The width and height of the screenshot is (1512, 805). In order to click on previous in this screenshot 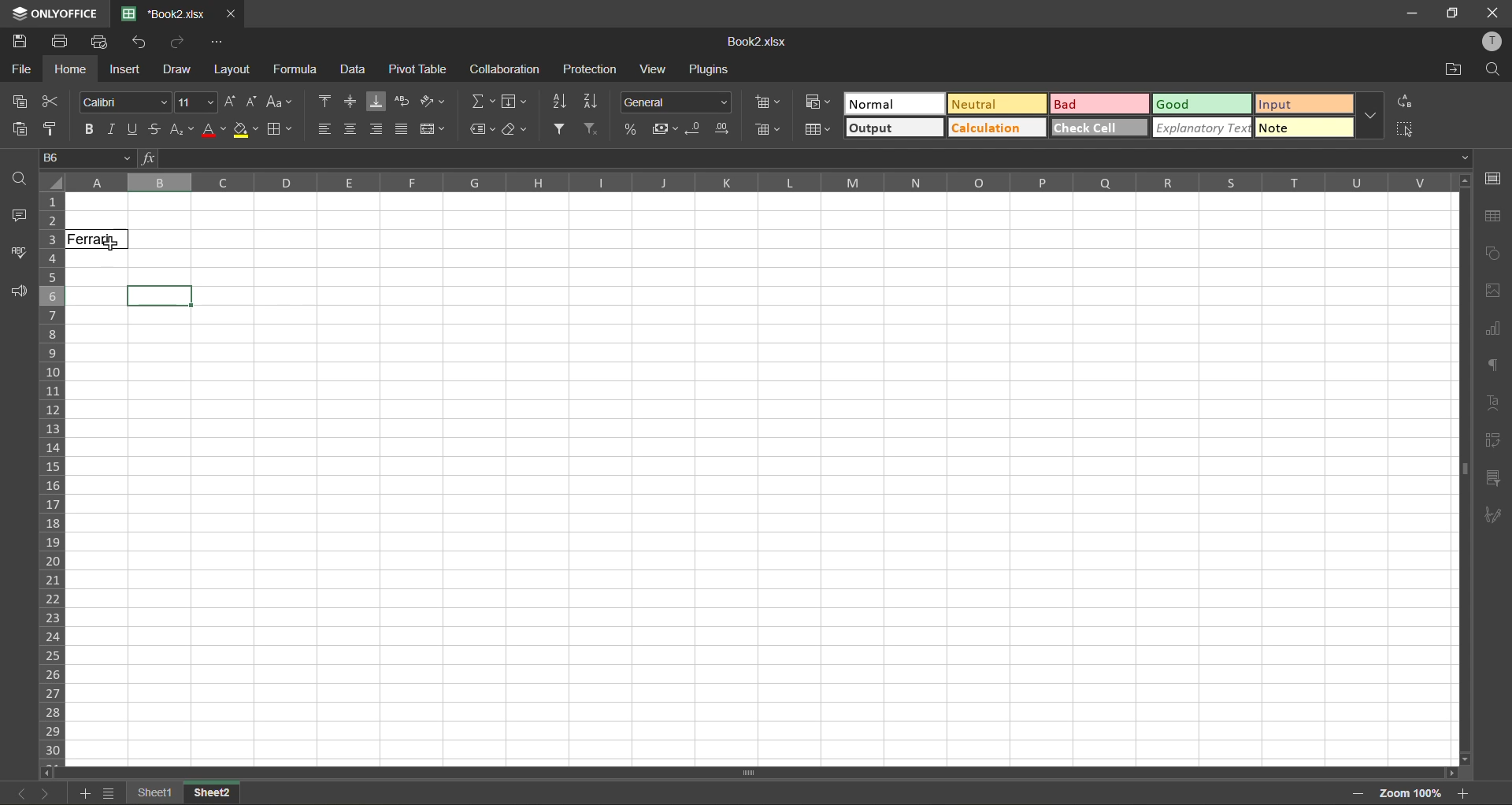, I will do `click(22, 793)`.